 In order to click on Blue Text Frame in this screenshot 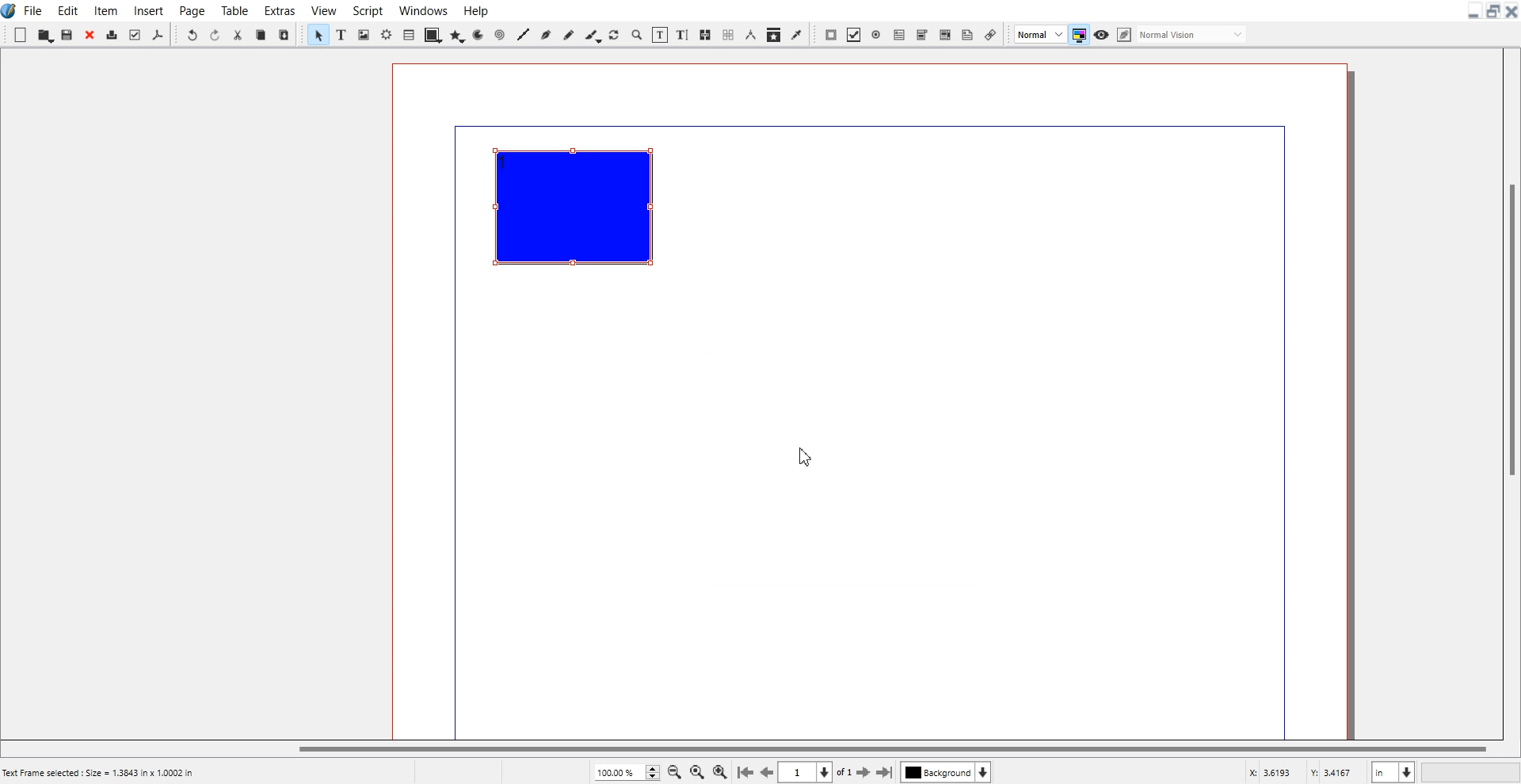, I will do `click(581, 215)`.